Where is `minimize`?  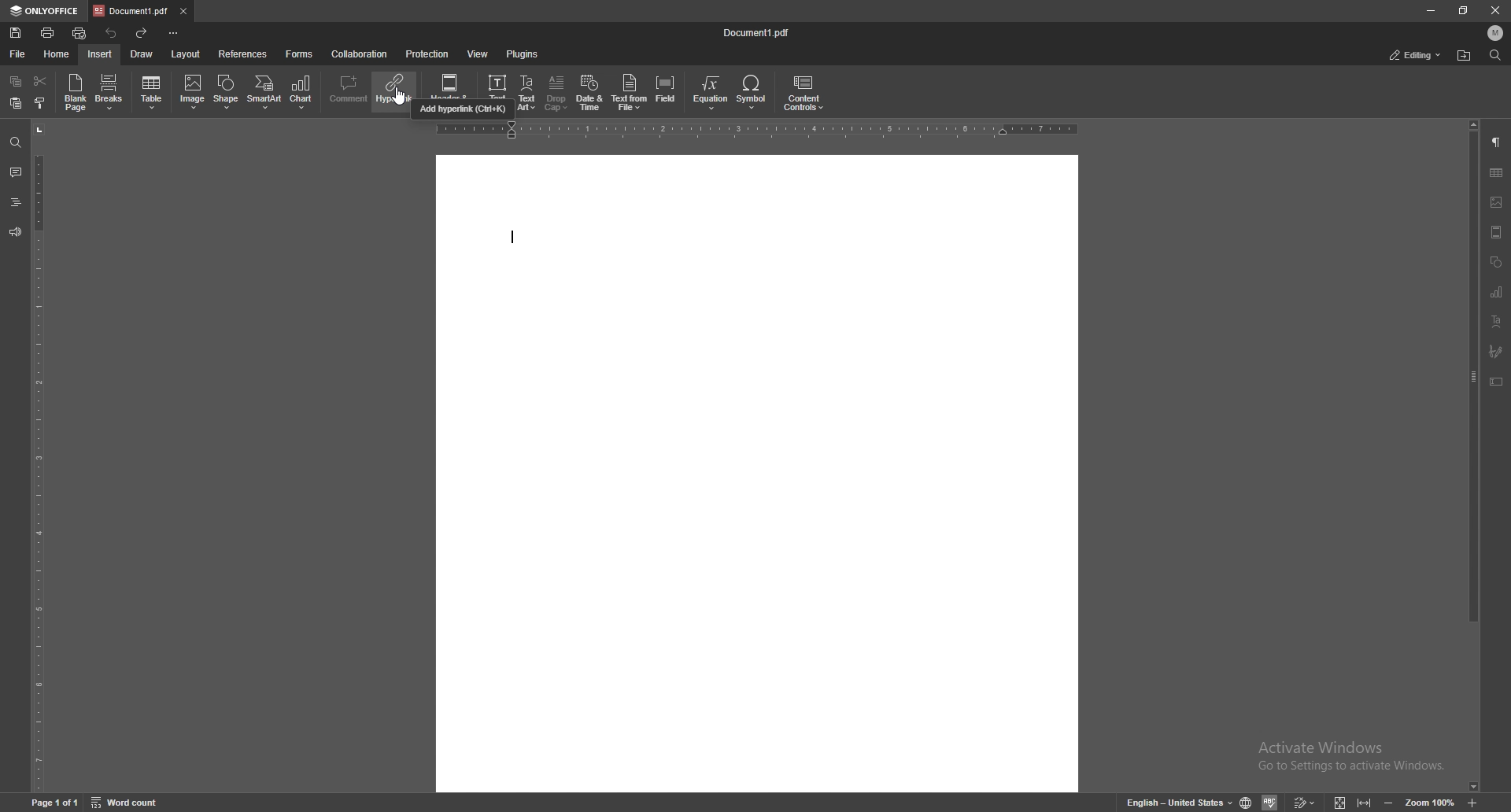
minimize is located at coordinates (1431, 9).